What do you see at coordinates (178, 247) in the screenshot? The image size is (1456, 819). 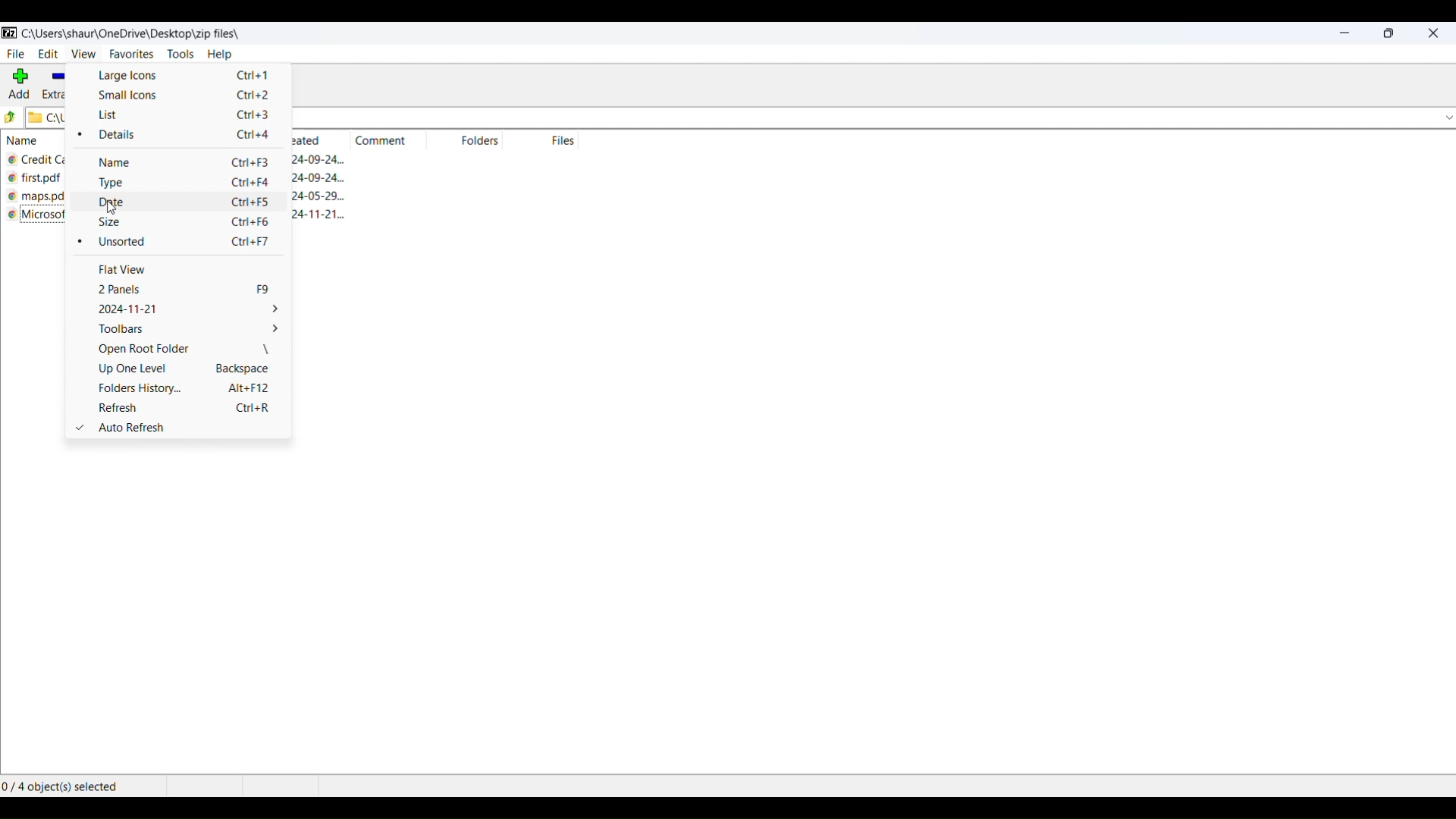 I see `unsorted` at bounding box center [178, 247].